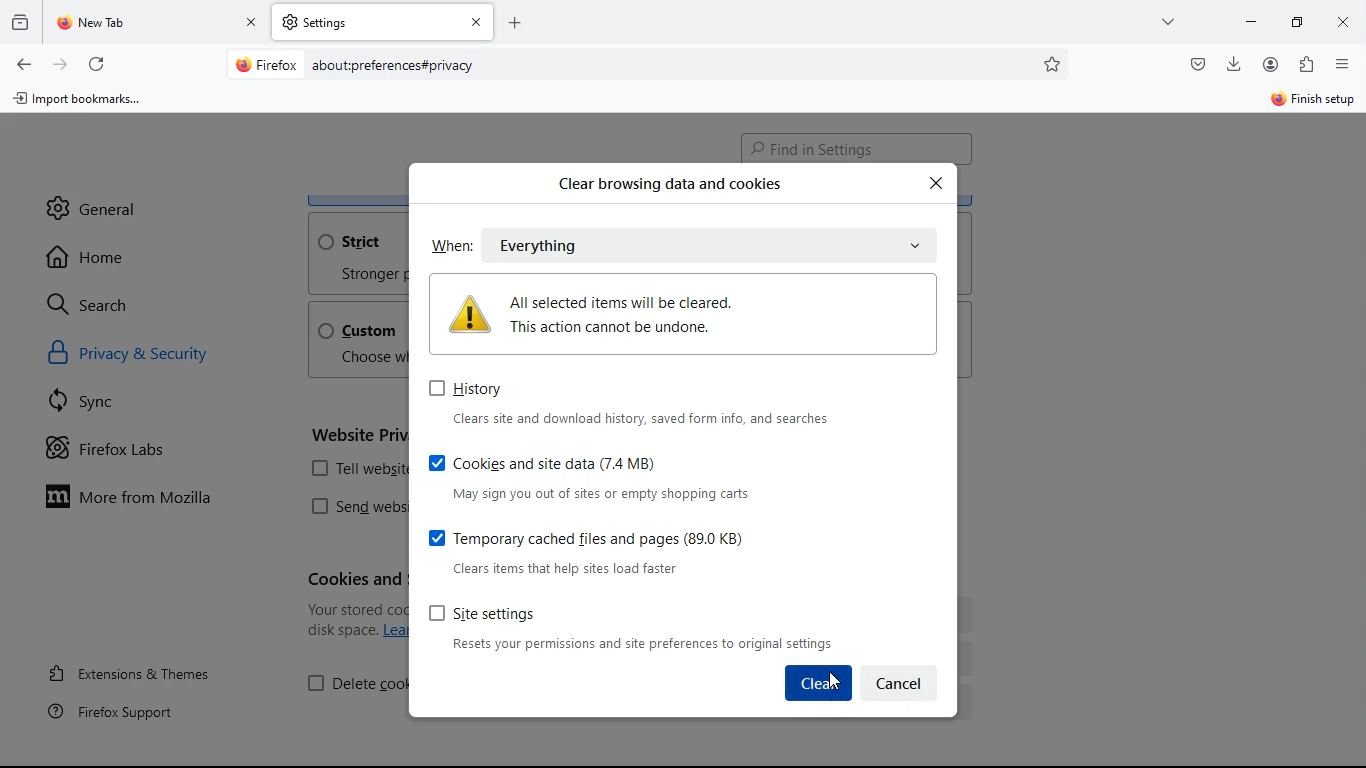  What do you see at coordinates (515, 22) in the screenshot?
I see `Add new Tab` at bounding box center [515, 22].